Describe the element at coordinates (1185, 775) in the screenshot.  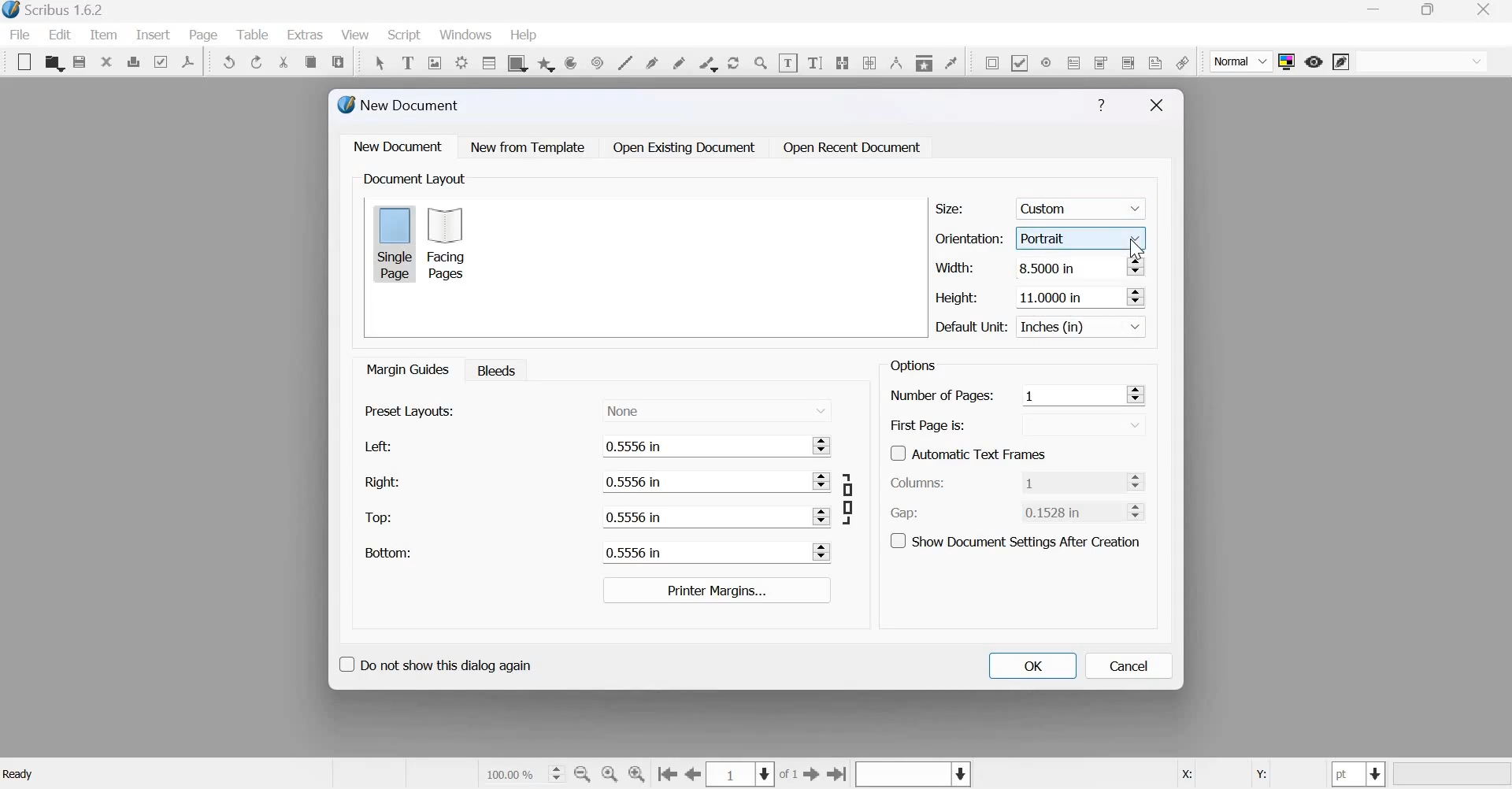
I see `X:` at that location.